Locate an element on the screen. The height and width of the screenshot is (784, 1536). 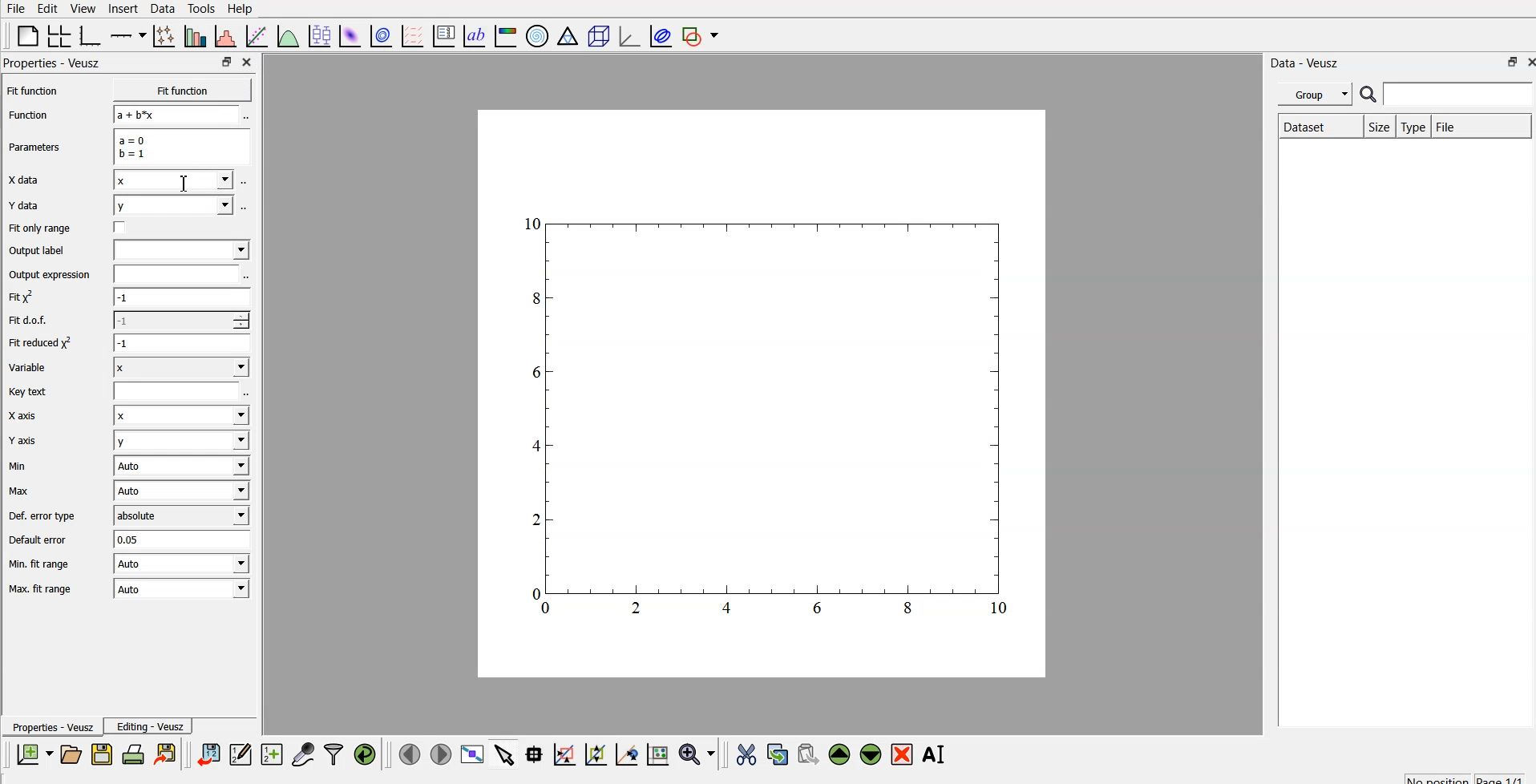
select items from graph is located at coordinates (507, 757).